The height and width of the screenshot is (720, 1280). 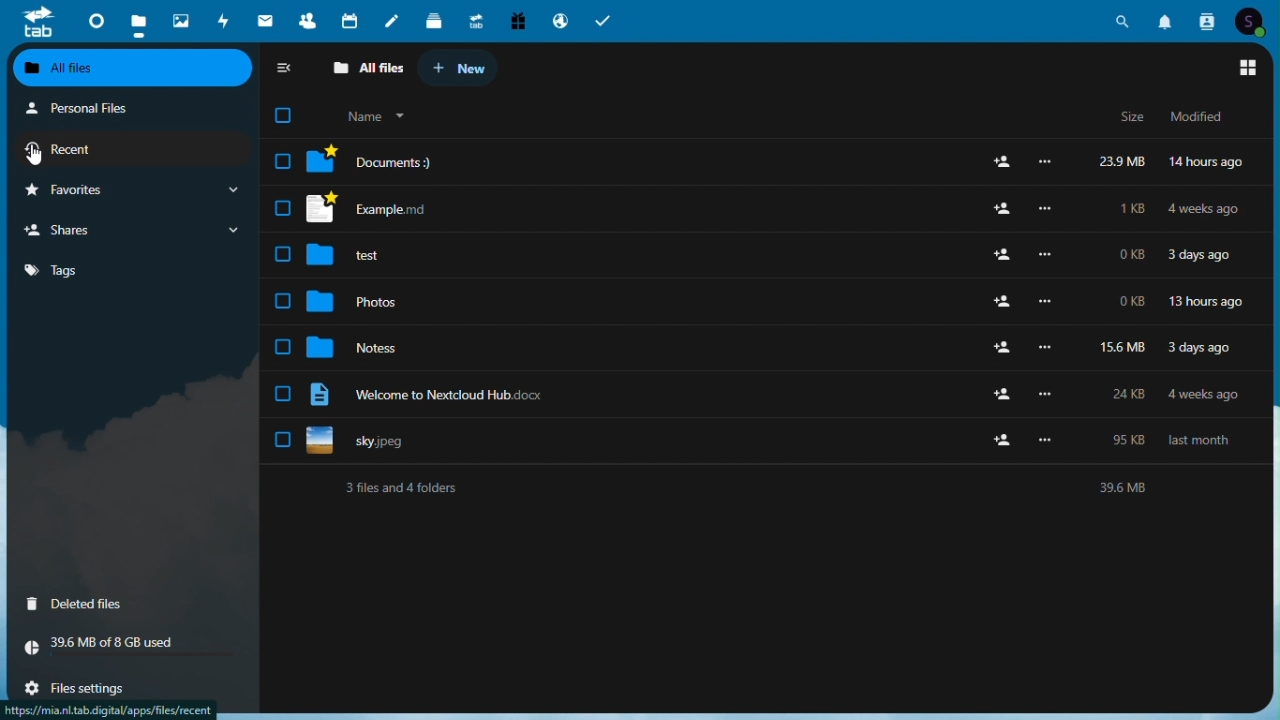 What do you see at coordinates (285, 70) in the screenshot?
I see `collapse sidebar` at bounding box center [285, 70].